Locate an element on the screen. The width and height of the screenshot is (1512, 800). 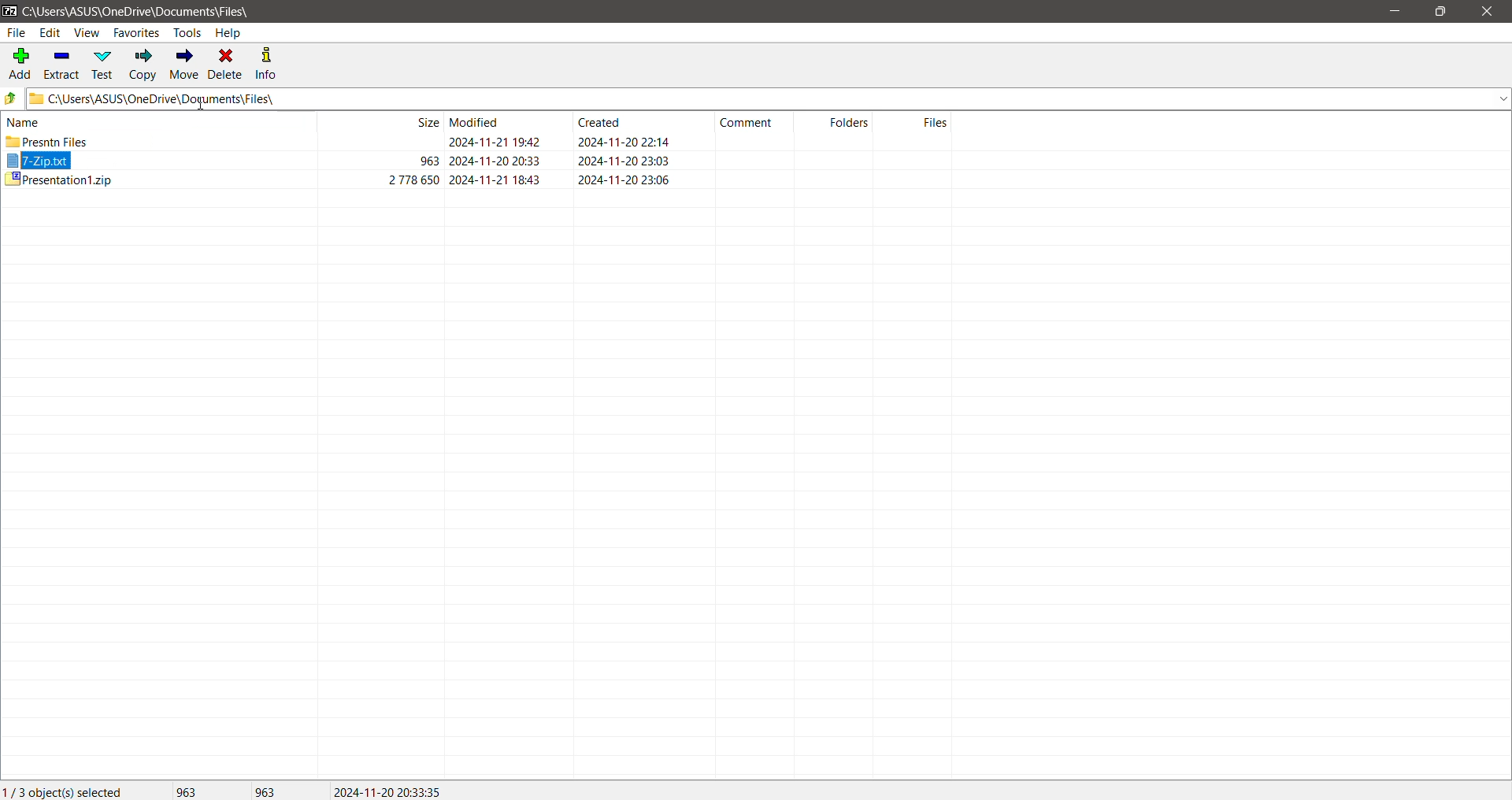
Test is located at coordinates (101, 65).